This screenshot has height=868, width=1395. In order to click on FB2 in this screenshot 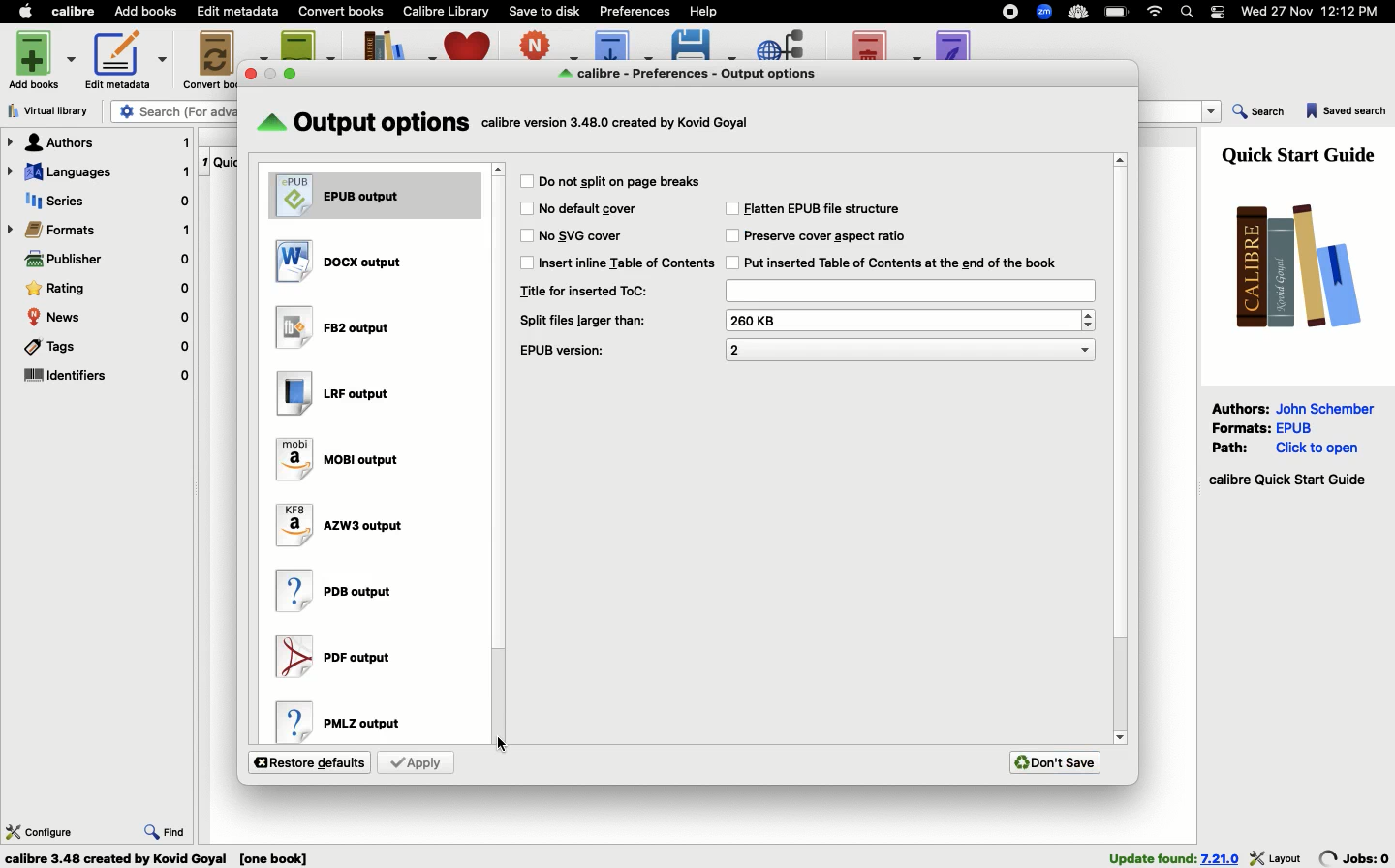, I will do `click(333, 328)`.